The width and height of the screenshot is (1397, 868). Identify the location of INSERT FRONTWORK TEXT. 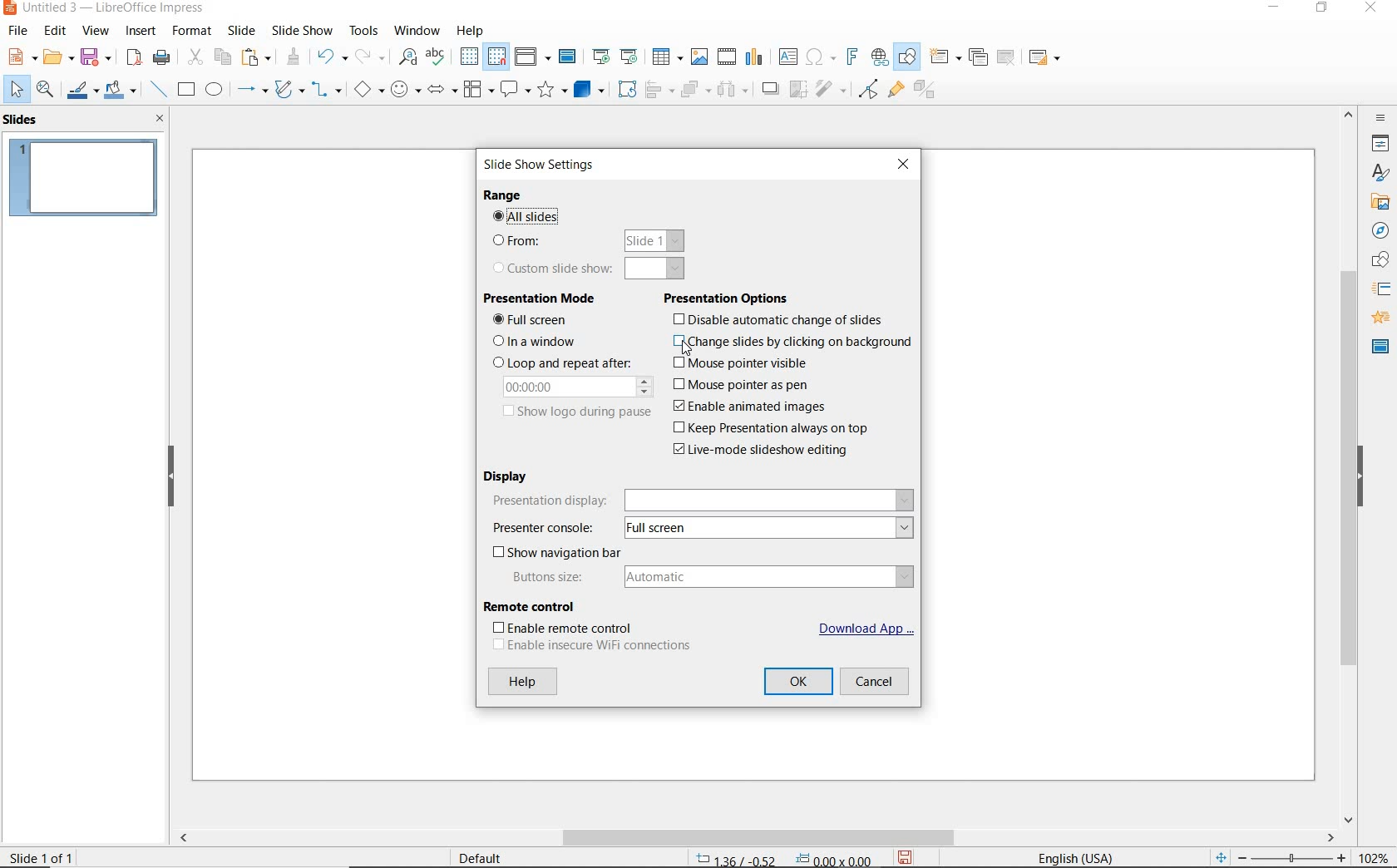
(850, 55).